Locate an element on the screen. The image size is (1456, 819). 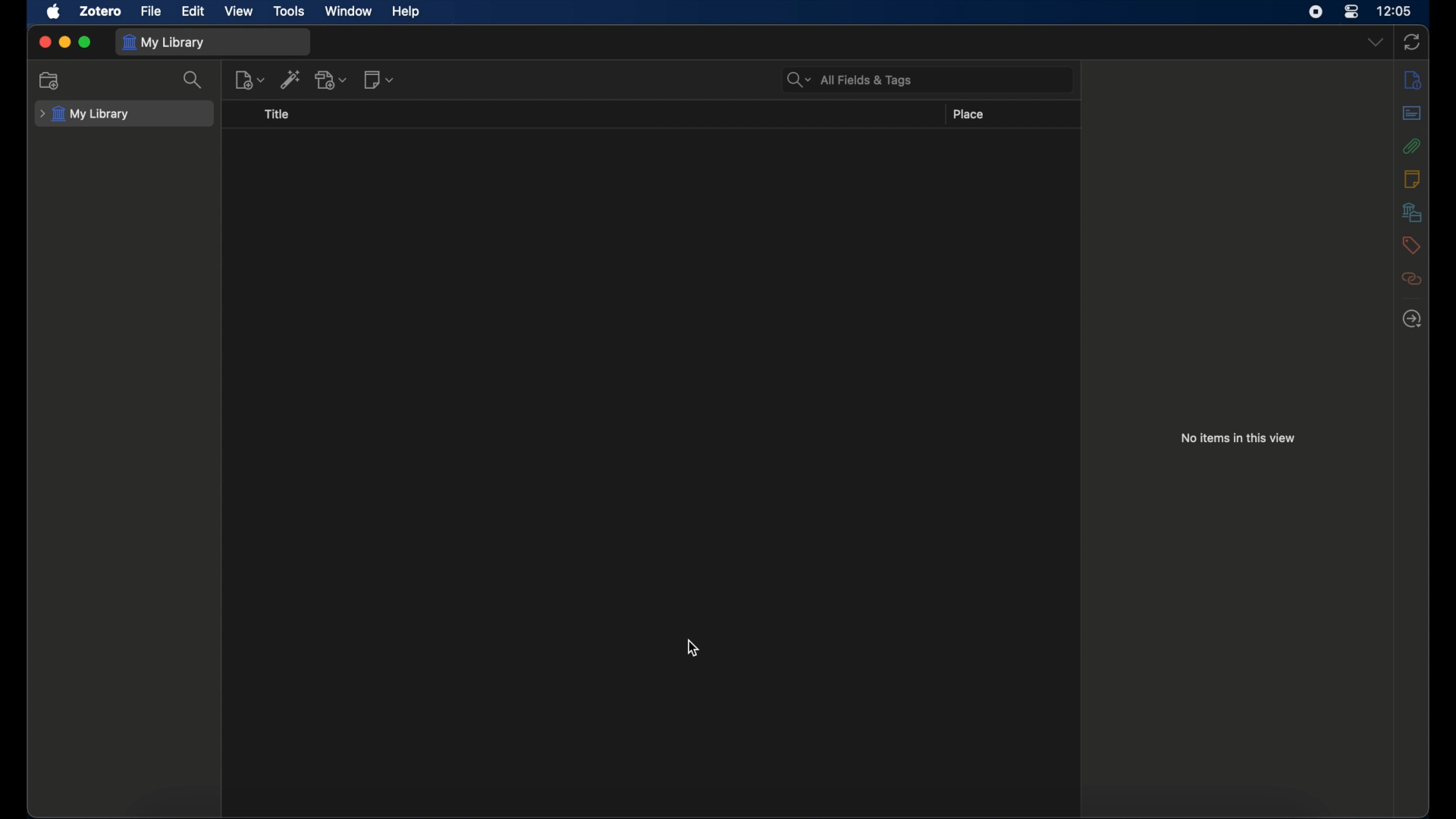
new note is located at coordinates (378, 78).